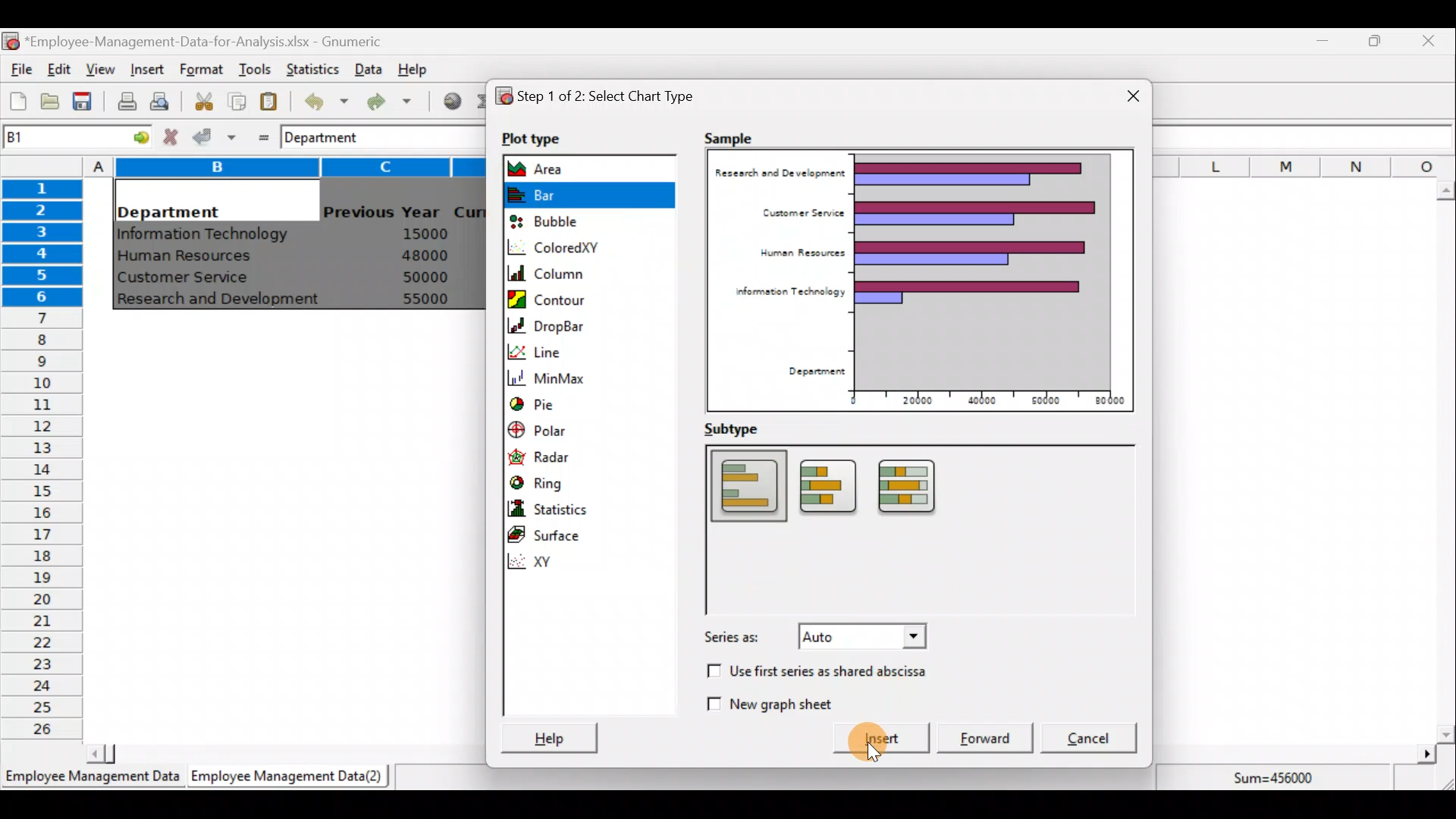 The image size is (1456, 819). What do you see at coordinates (386, 102) in the screenshot?
I see `Redo undone action` at bounding box center [386, 102].